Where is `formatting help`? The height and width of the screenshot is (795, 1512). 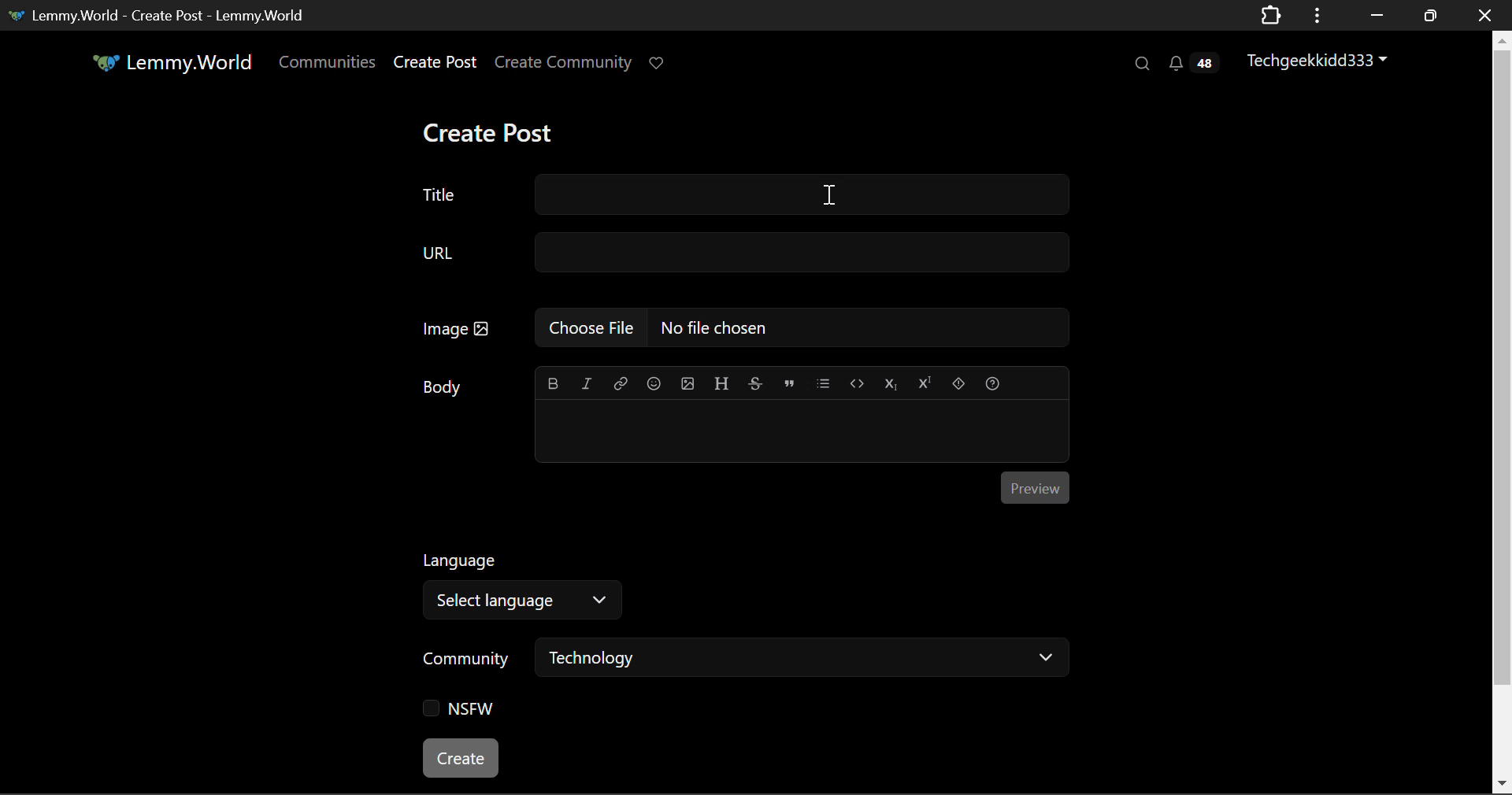
formatting help is located at coordinates (991, 381).